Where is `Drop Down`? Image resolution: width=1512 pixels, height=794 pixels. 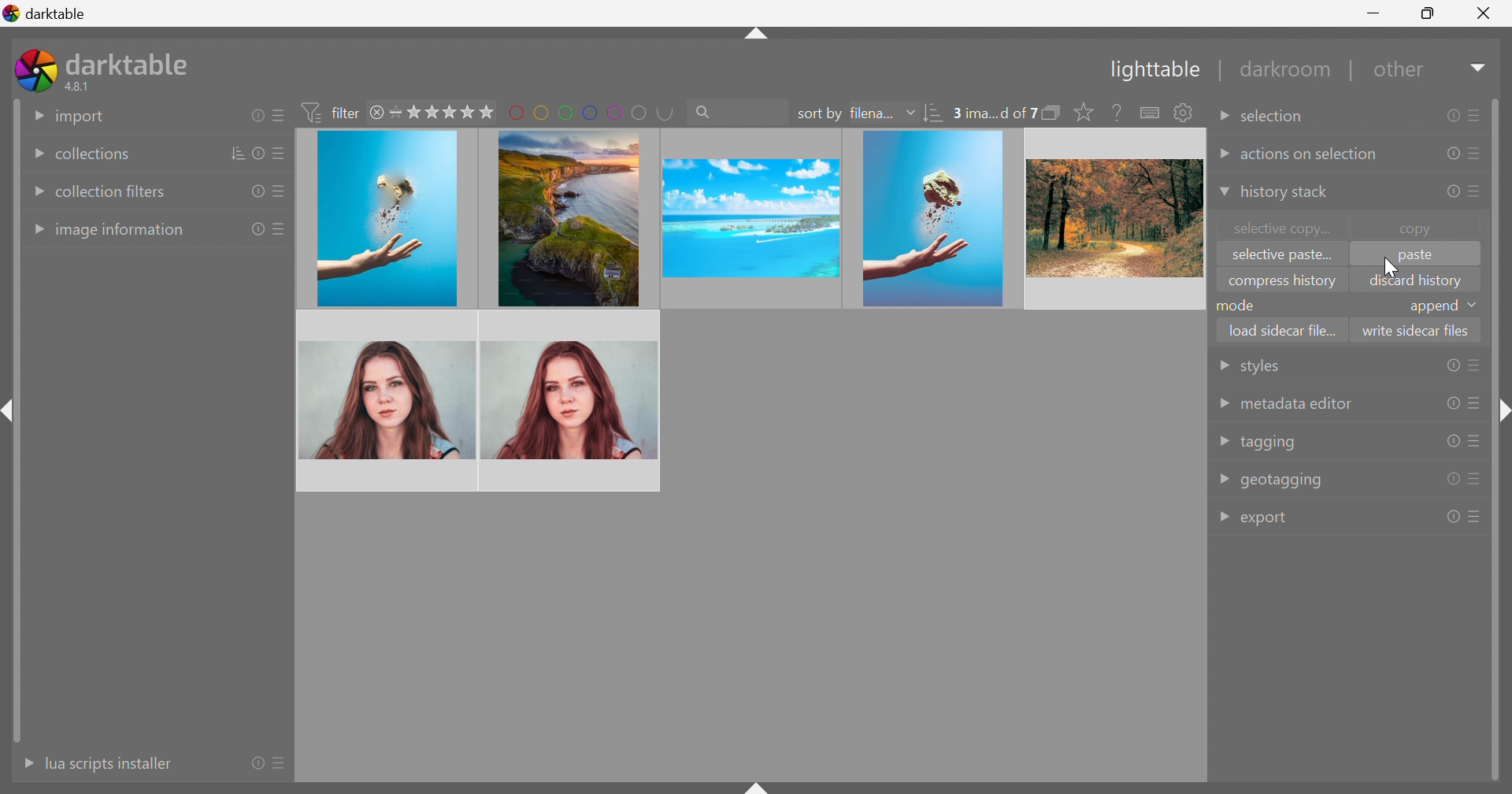 Drop Down is located at coordinates (1222, 366).